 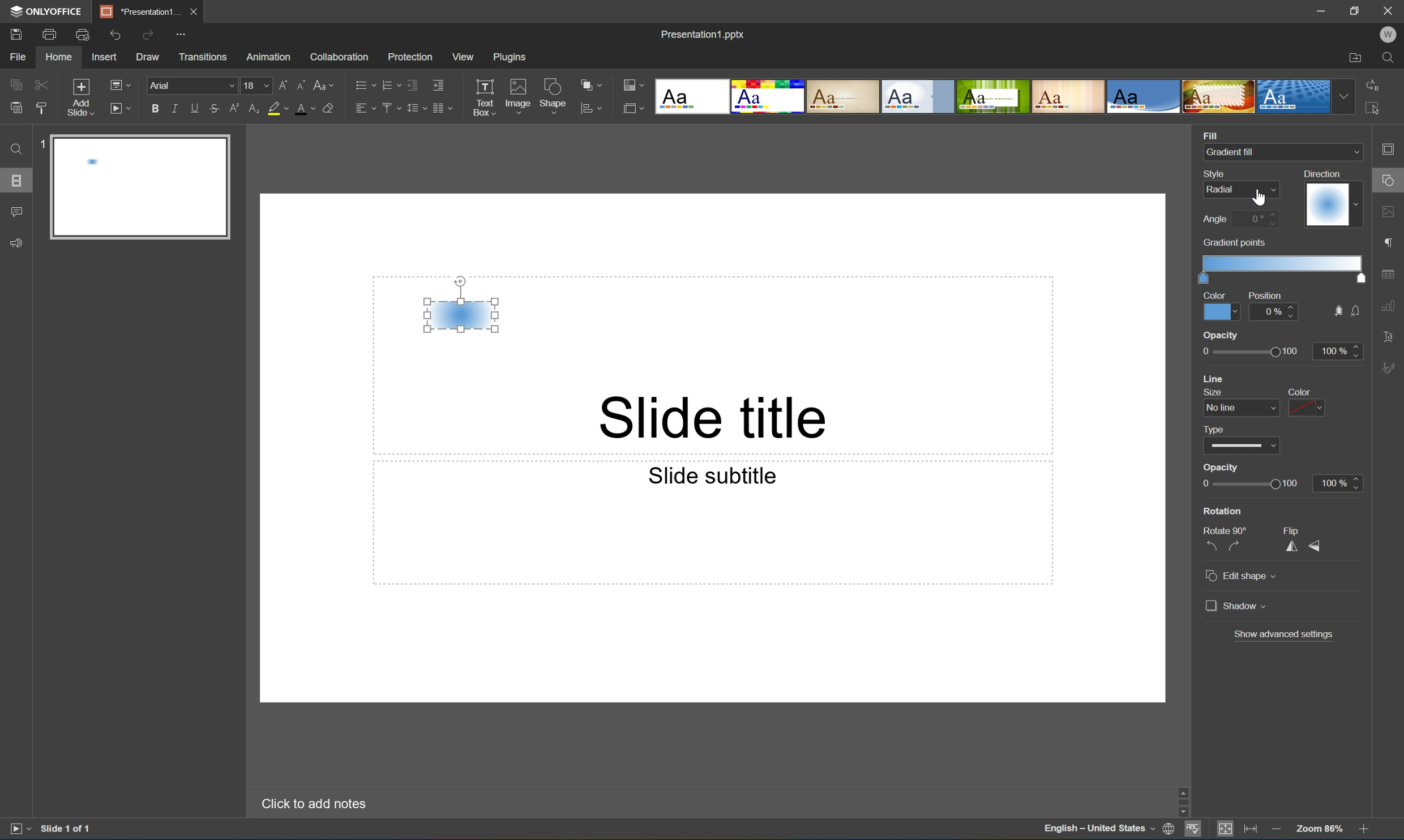 What do you see at coordinates (1210, 392) in the screenshot?
I see `size` at bounding box center [1210, 392].